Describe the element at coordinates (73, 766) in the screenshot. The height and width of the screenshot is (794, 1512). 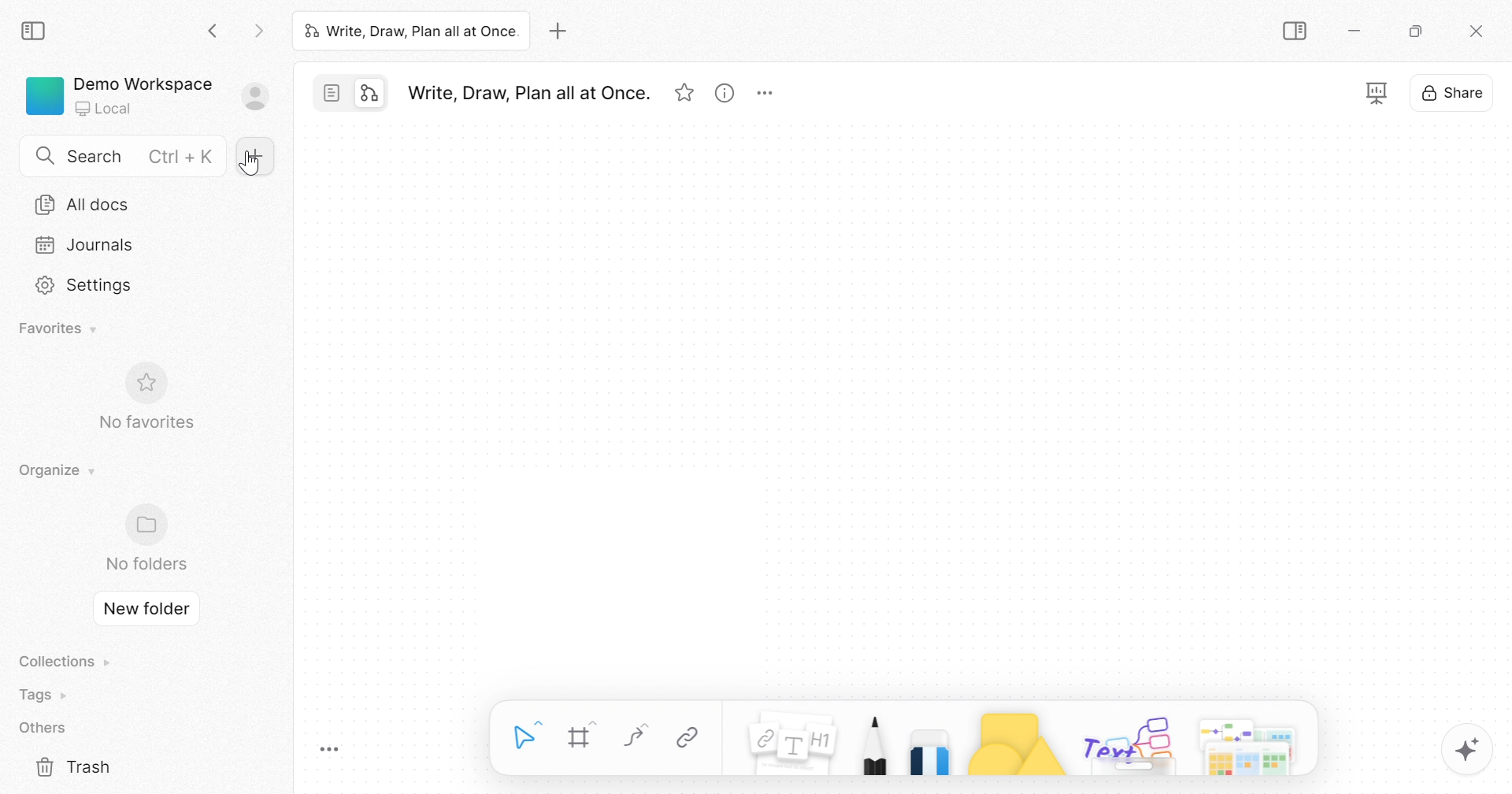
I see `Trash` at that location.